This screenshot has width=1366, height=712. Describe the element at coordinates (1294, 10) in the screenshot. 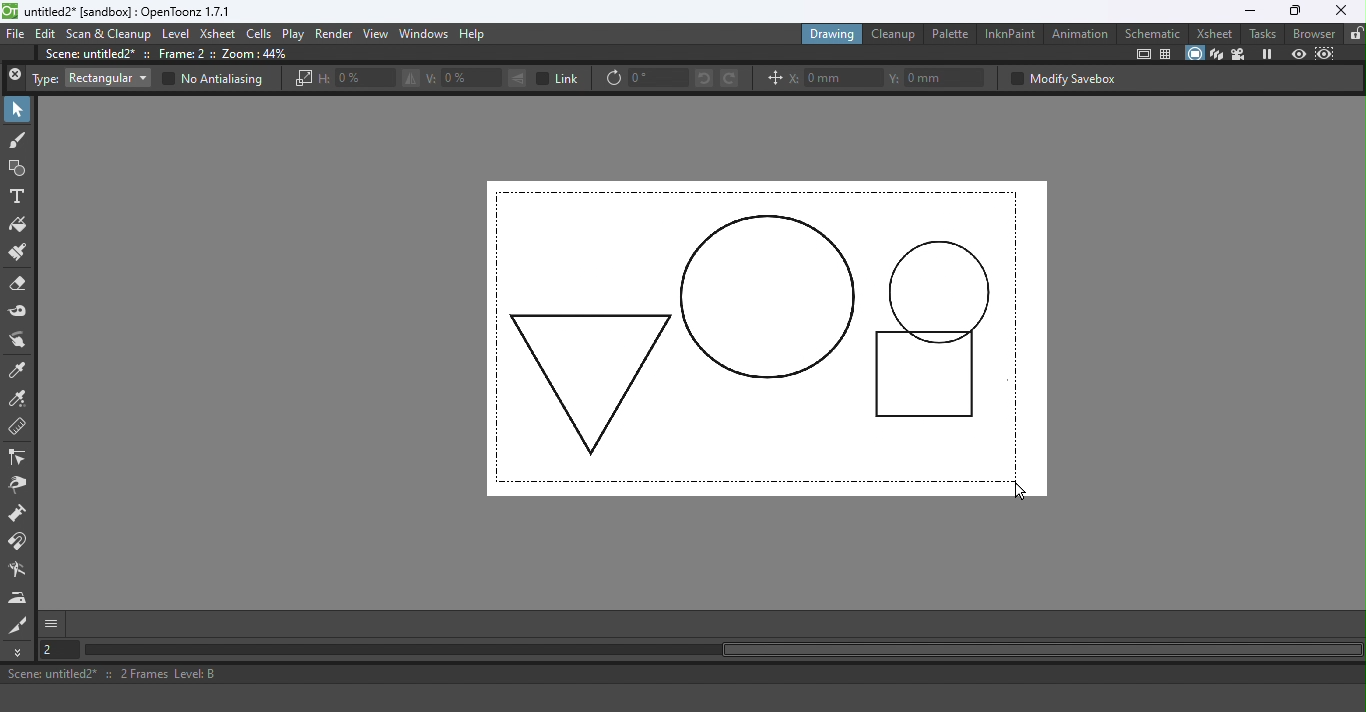

I see `Maximize` at that location.